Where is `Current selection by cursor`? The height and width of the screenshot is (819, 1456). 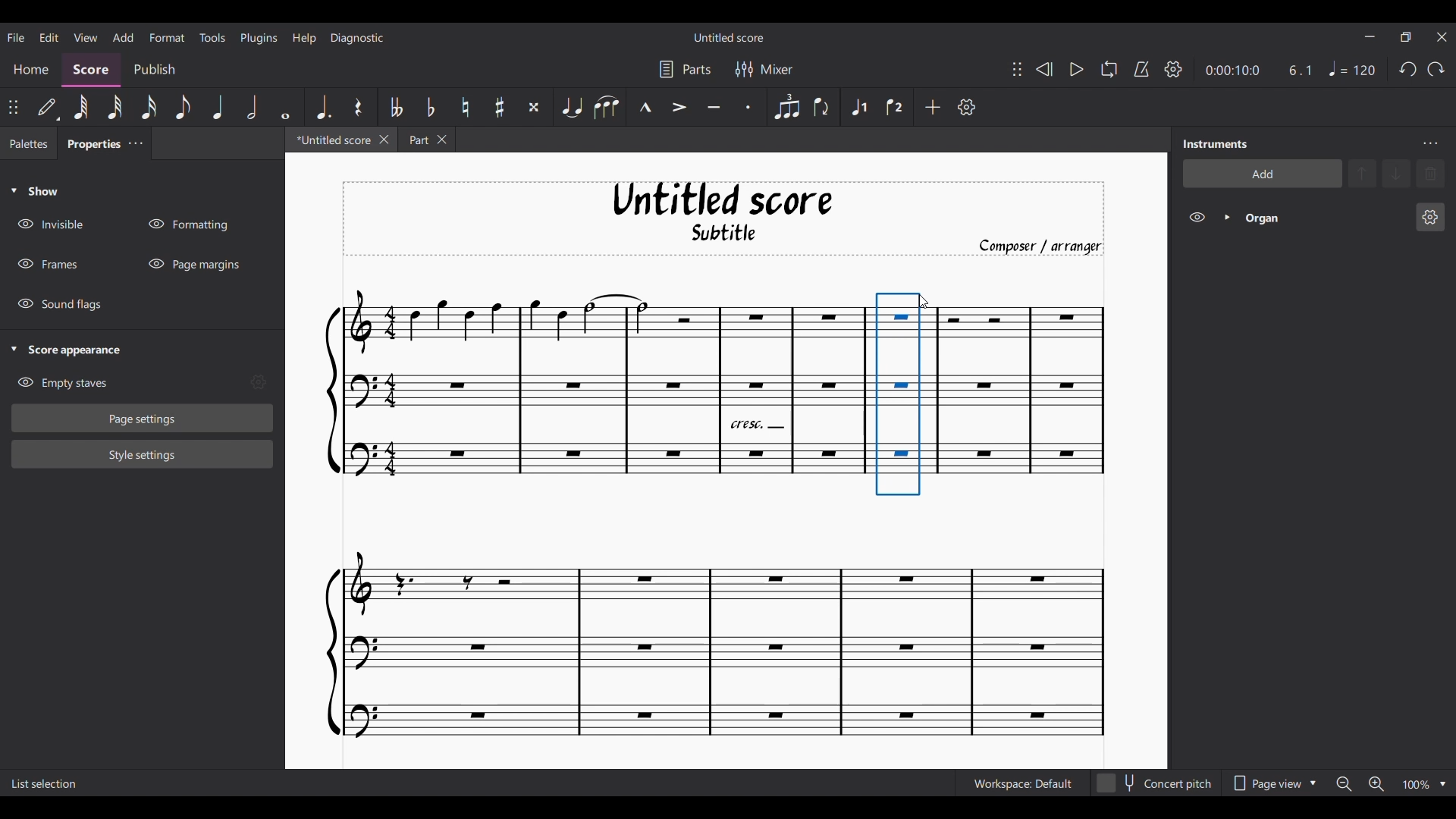 Current selection by cursor is located at coordinates (898, 394).